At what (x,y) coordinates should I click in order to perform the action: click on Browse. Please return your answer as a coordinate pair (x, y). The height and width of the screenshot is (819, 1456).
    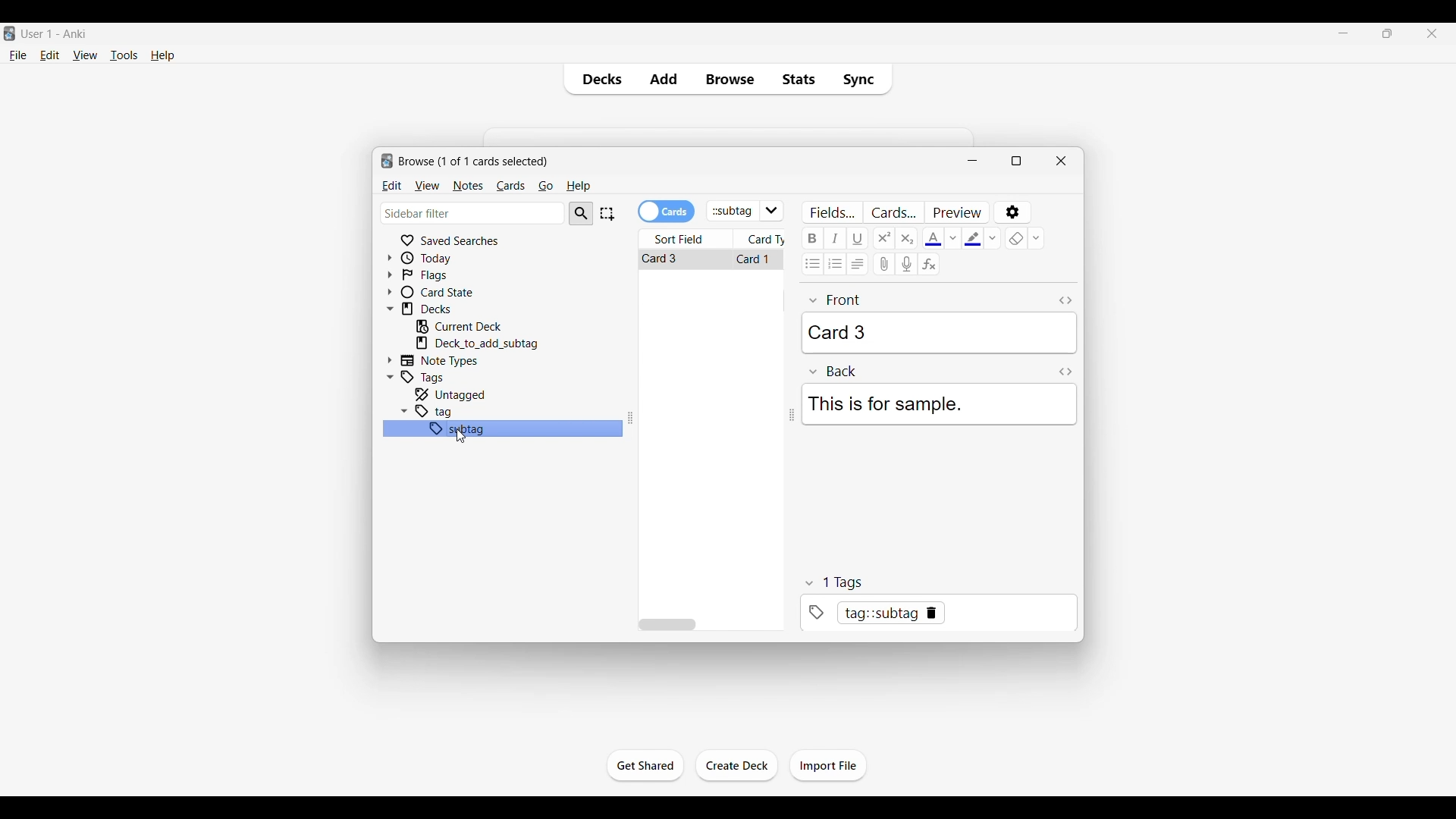
    Looking at the image, I should click on (730, 79).